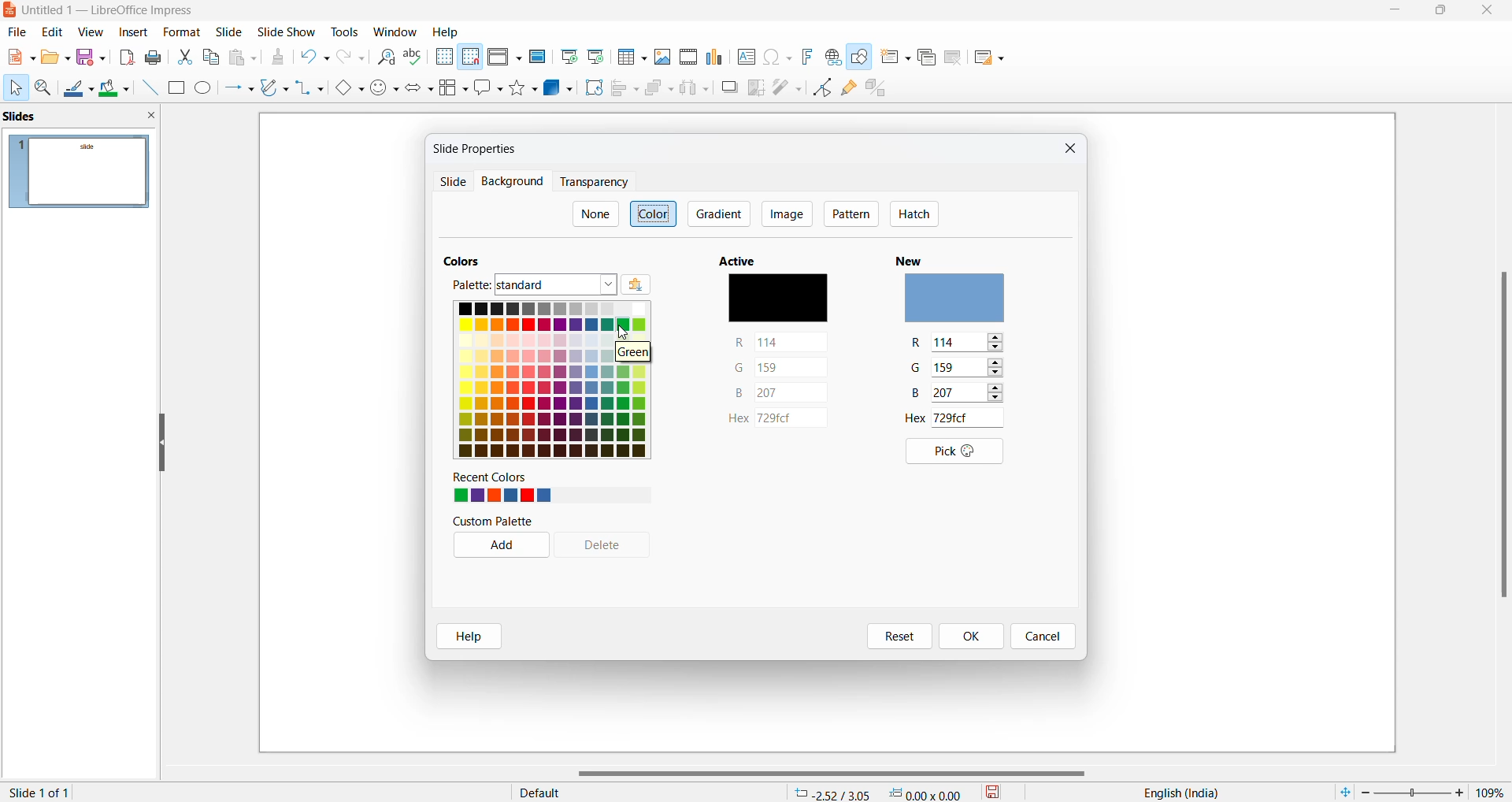 This screenshot has width=1512, height=802. What do you see at coordinates (525, 87) in the screenshot?
I see `shapes` at bounding box center [525, 87].